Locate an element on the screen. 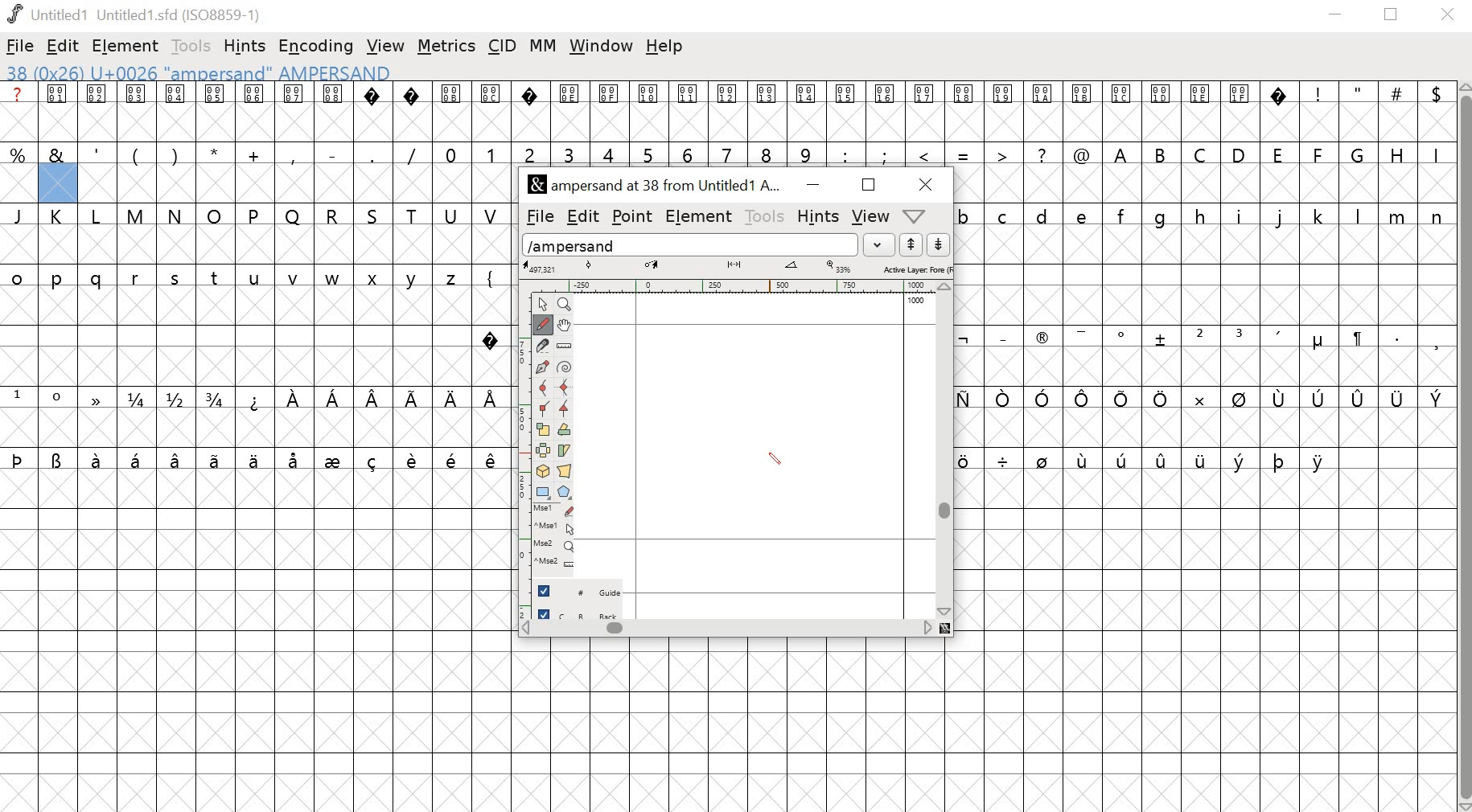 Image resolution: width=1472 pixels, height=812 pixels. Untitled 1 Untitled1.shd (ISO8859-1) is located at coordinates (133, 13).